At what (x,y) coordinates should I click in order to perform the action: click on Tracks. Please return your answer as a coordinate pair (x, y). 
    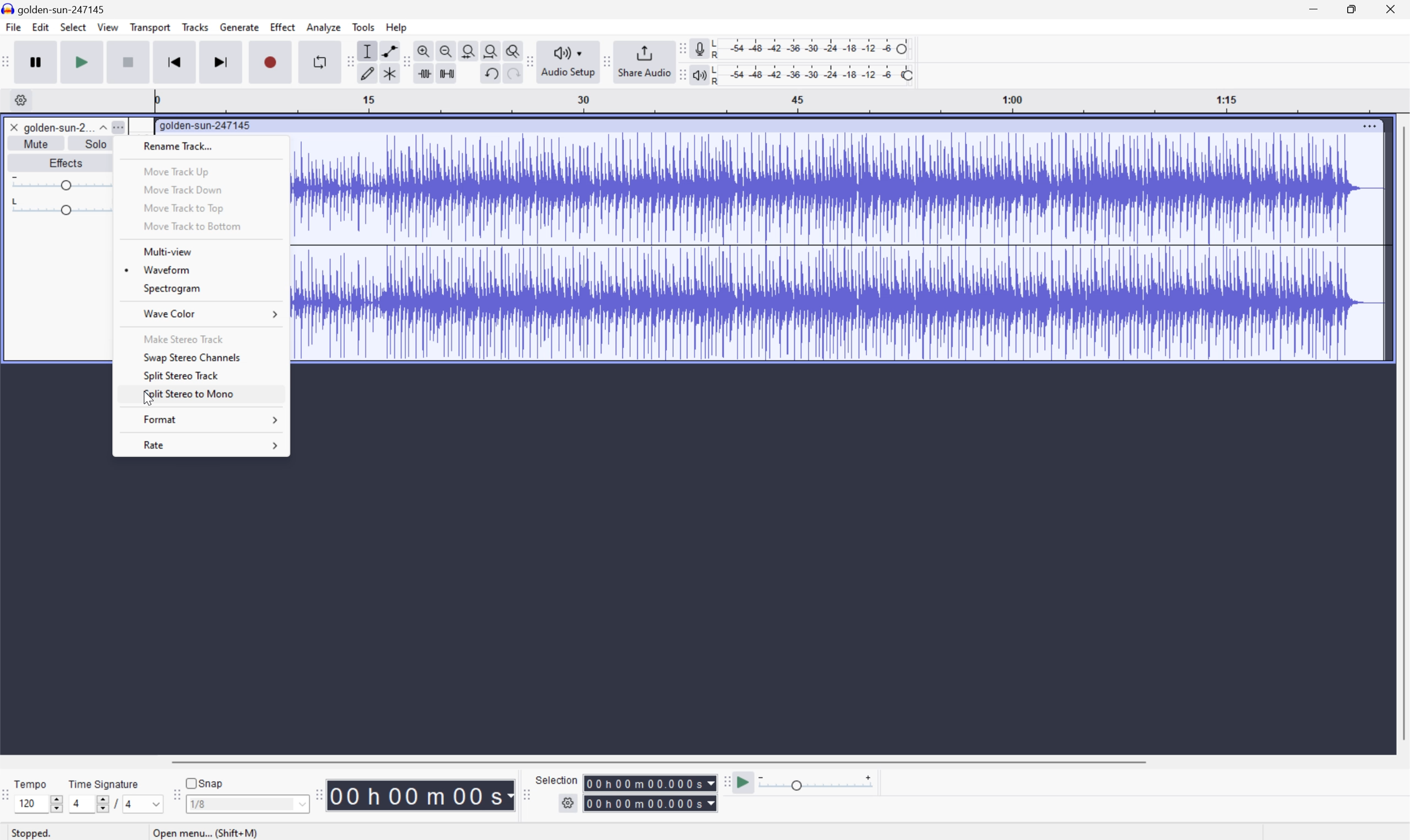
    Looking at the image, I should click on (195, 29).